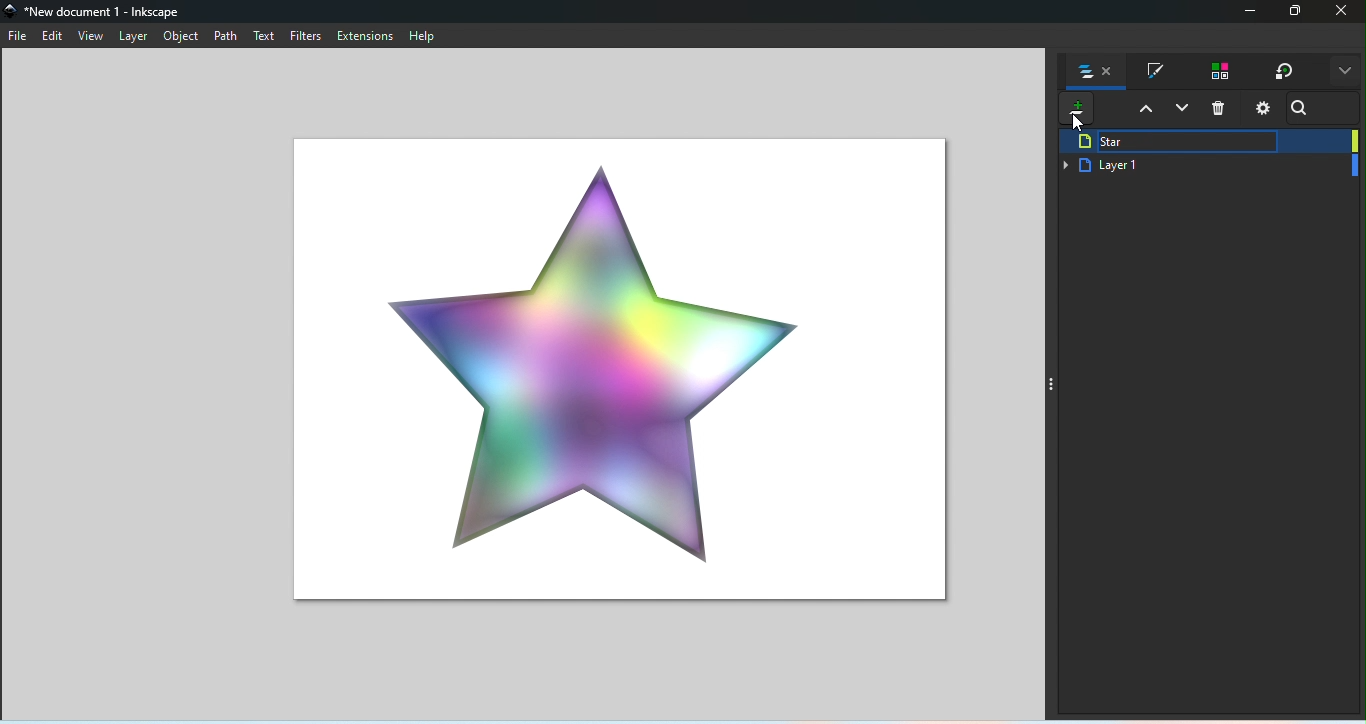  Describe the element at coordinates (92, 36) in the screenshot. I see `View` at that location.